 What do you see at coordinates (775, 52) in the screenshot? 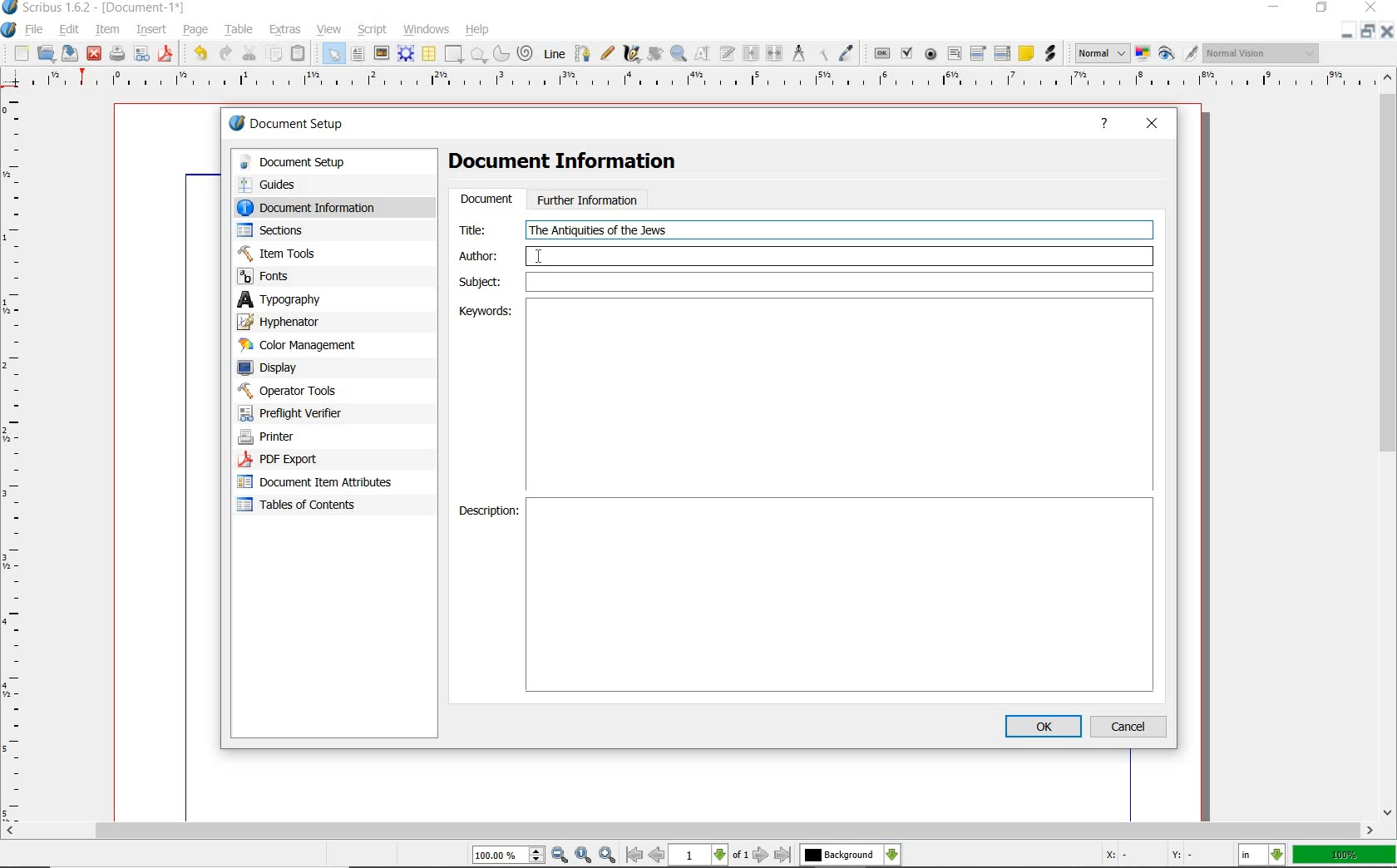
I see `unlink text frames` at bounding box center [775, 52].